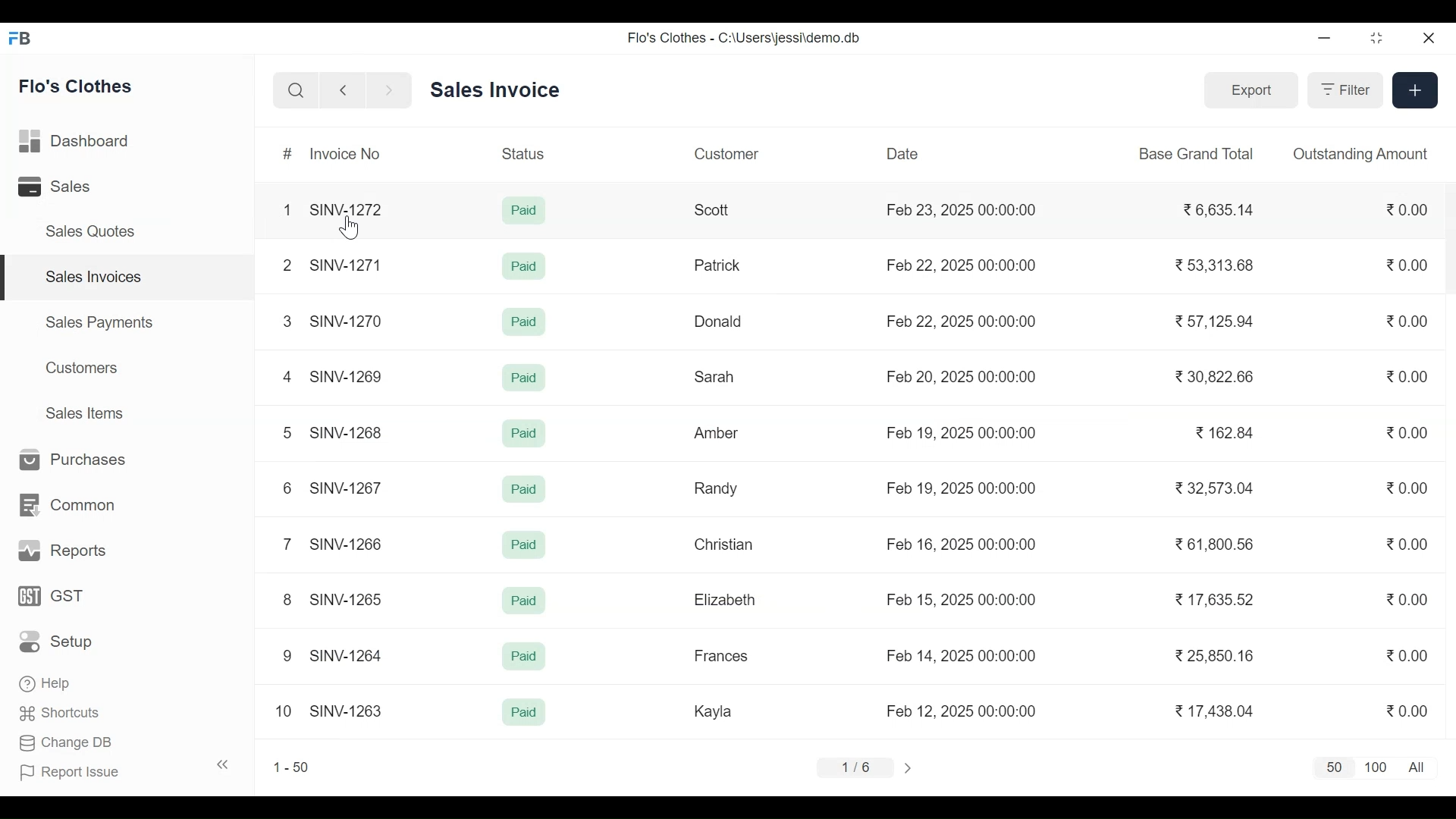 The height and width of the screenshot is (819, 1456). I want to click on 32,573.04, so click(1215, 487).